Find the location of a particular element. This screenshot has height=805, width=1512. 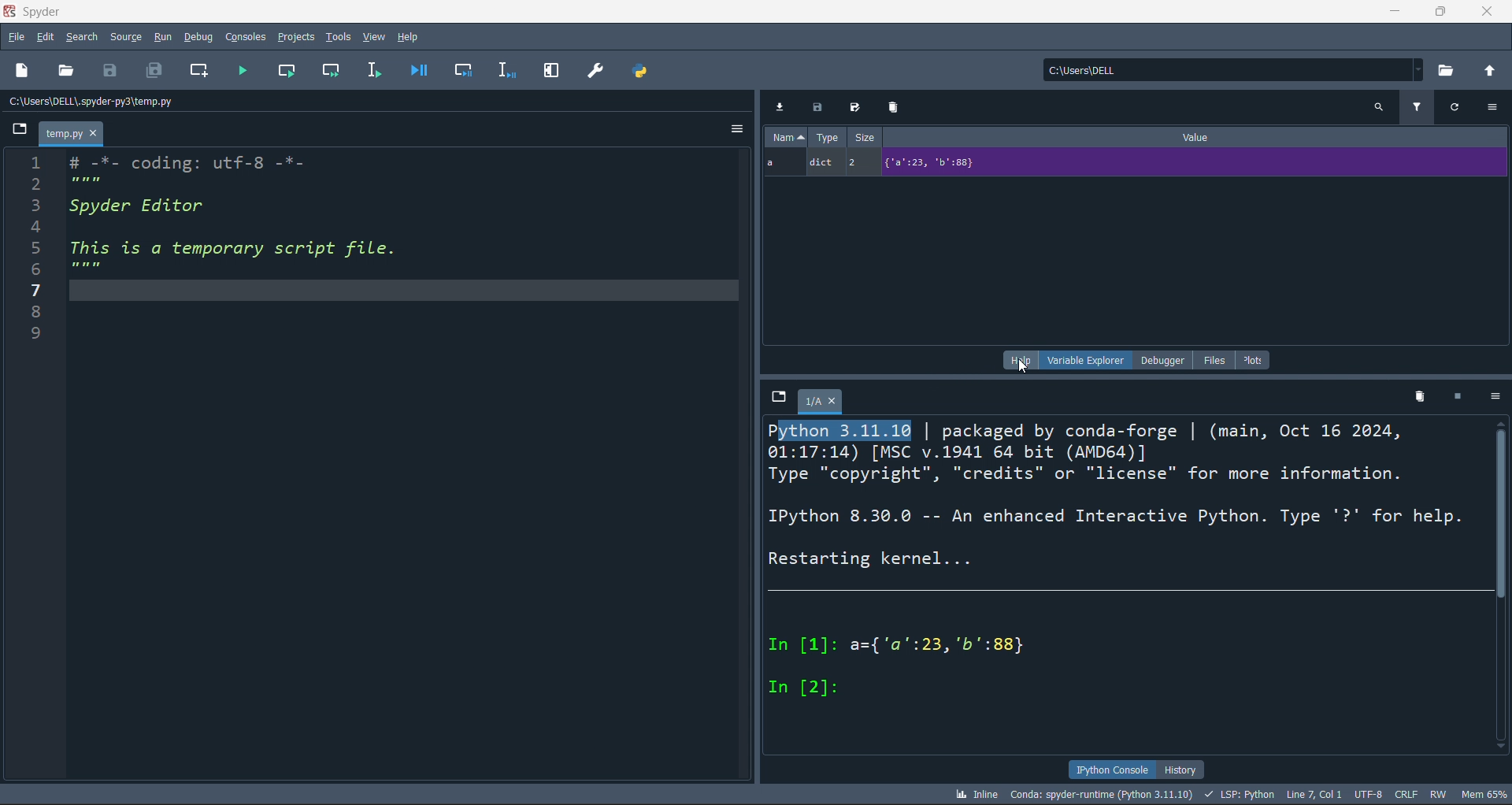

source is located at coordinates (123, 35).